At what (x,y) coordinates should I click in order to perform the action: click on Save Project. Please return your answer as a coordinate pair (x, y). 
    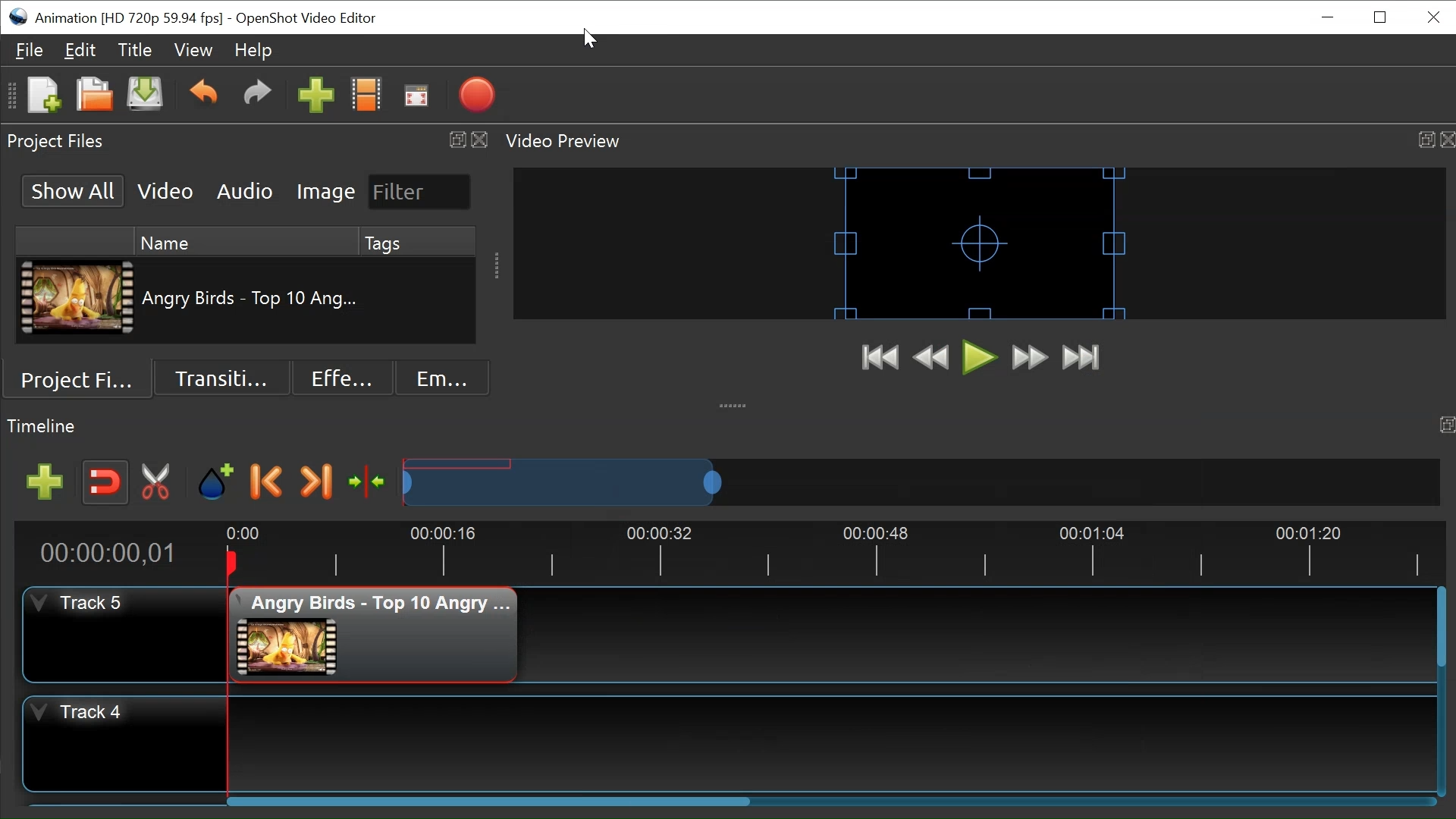
    Looking at the image, I should click on (145, 96).